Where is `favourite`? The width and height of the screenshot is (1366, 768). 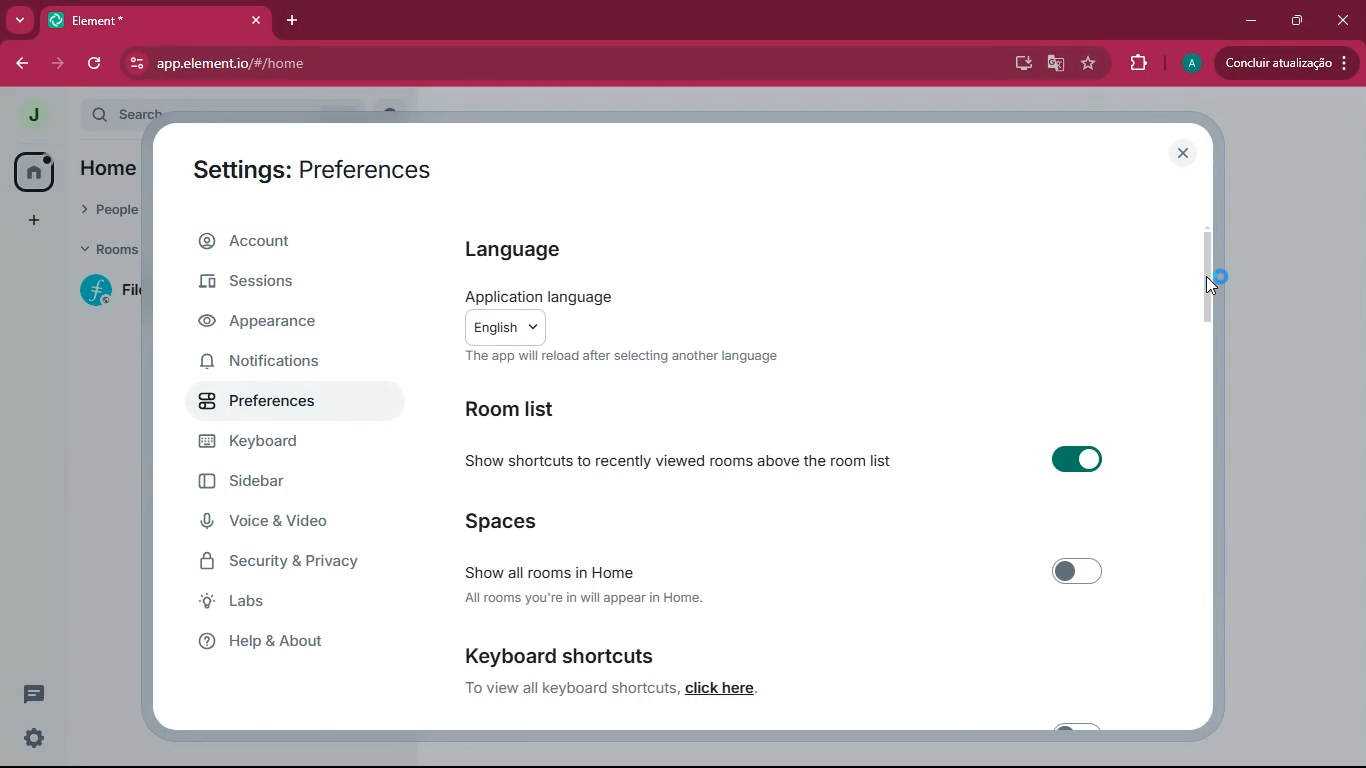
favourite is located at coordinates (1087, 64).